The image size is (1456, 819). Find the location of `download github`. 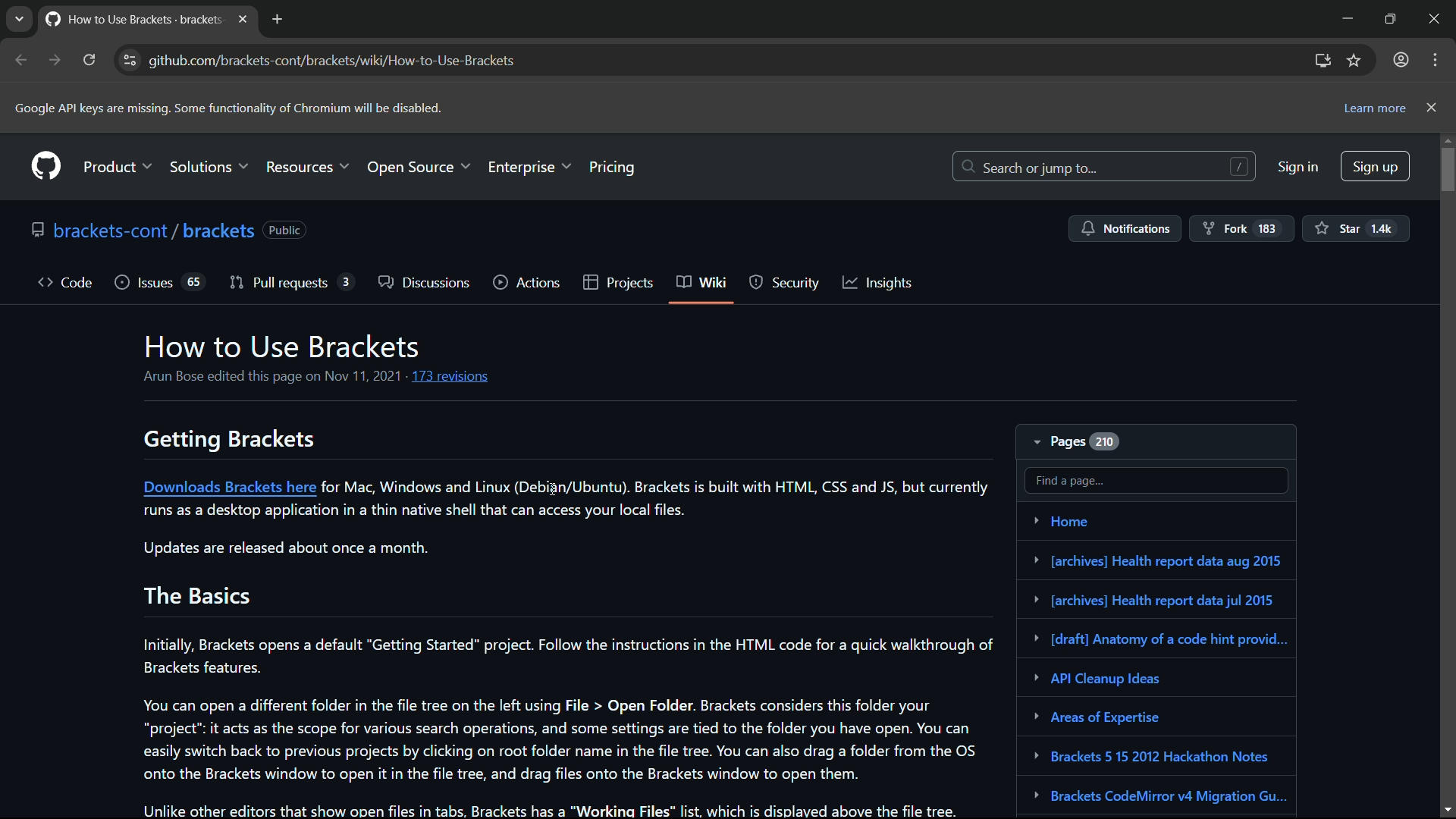

download github is located at coordinates (1323, 61).